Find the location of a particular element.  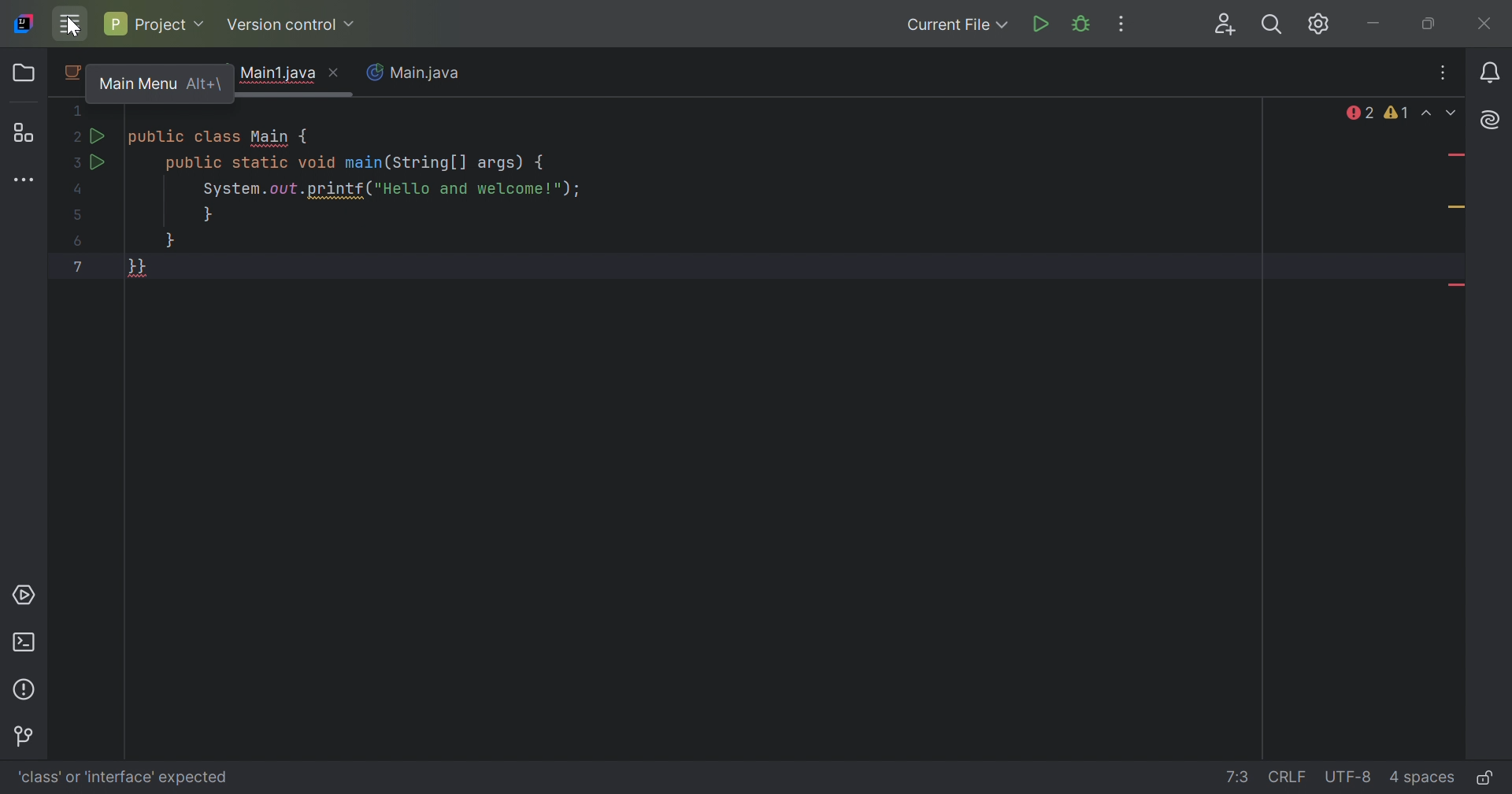

Services is located at coordinates (27, 595).